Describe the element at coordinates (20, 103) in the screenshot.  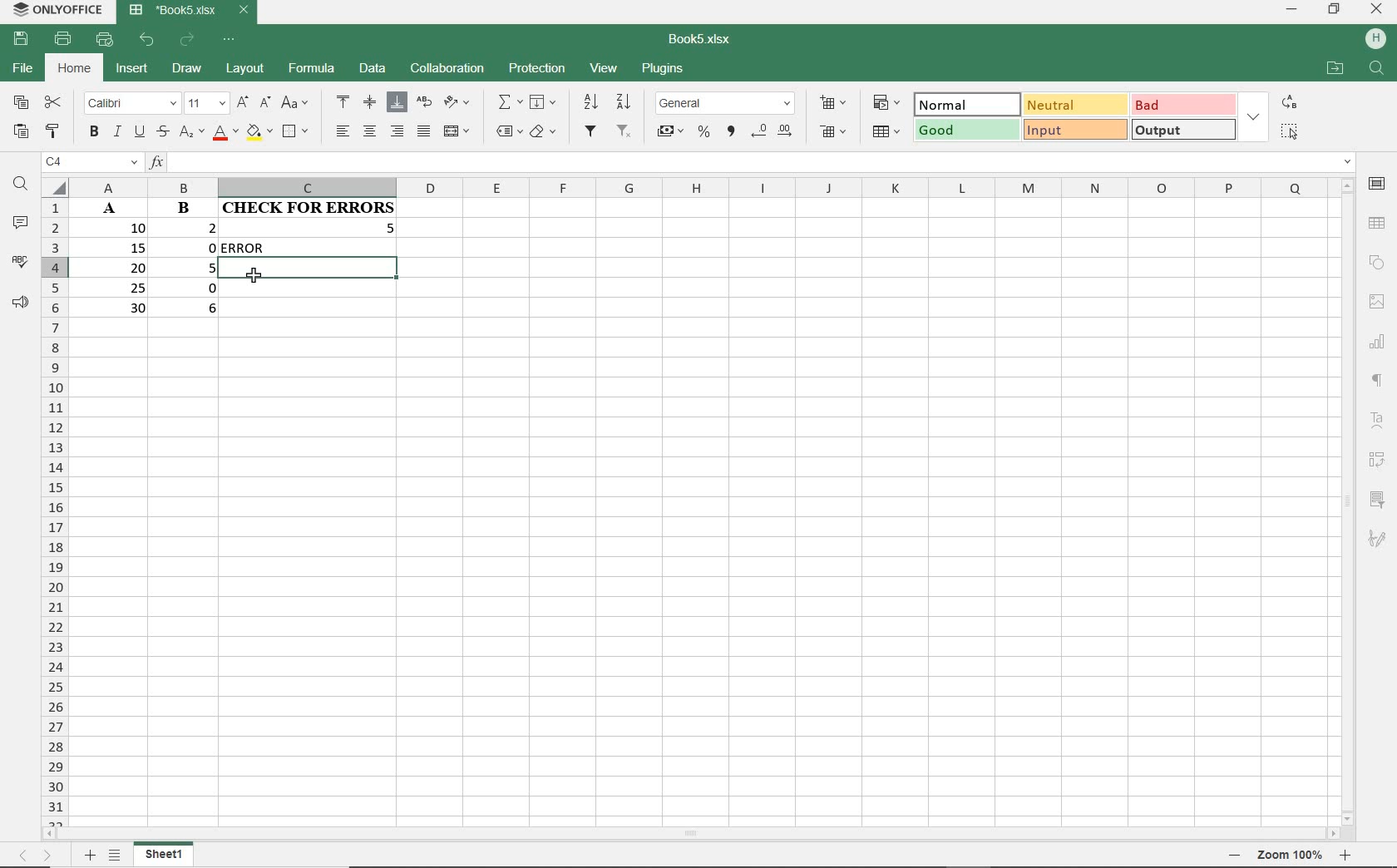
I see `COPY` at that location.